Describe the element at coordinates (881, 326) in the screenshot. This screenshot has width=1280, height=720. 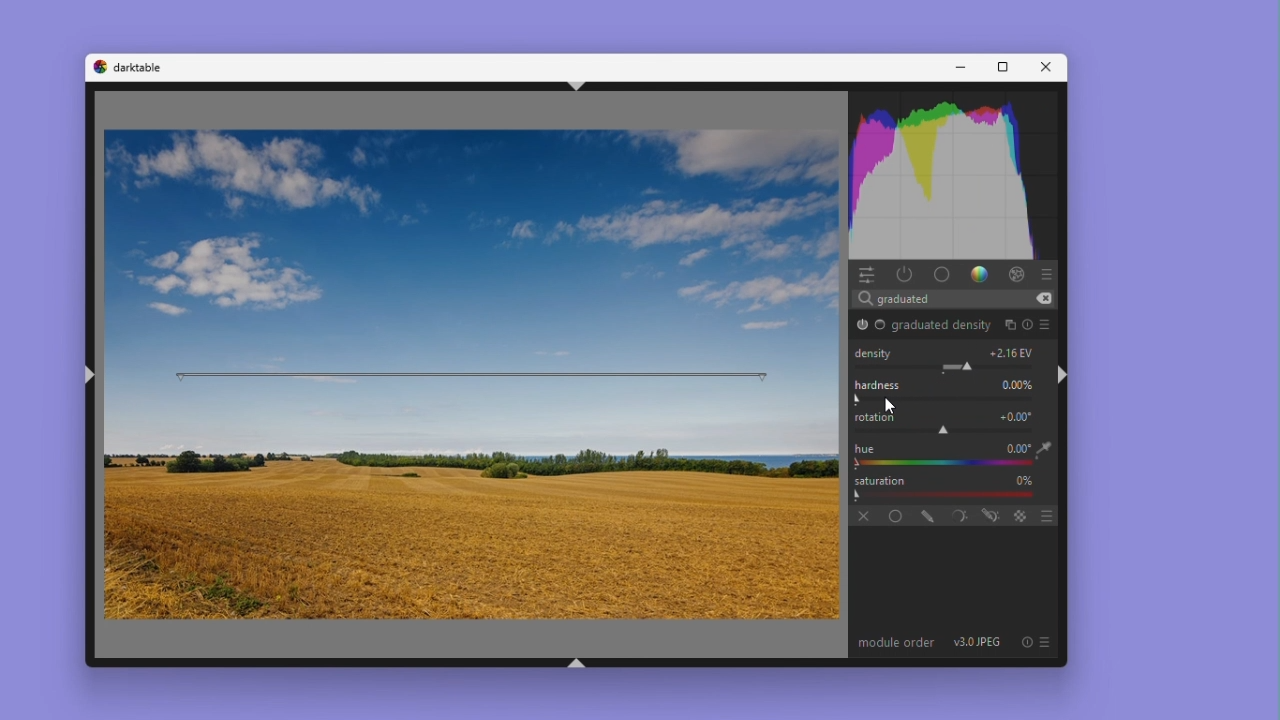
I see `Base` at that location.